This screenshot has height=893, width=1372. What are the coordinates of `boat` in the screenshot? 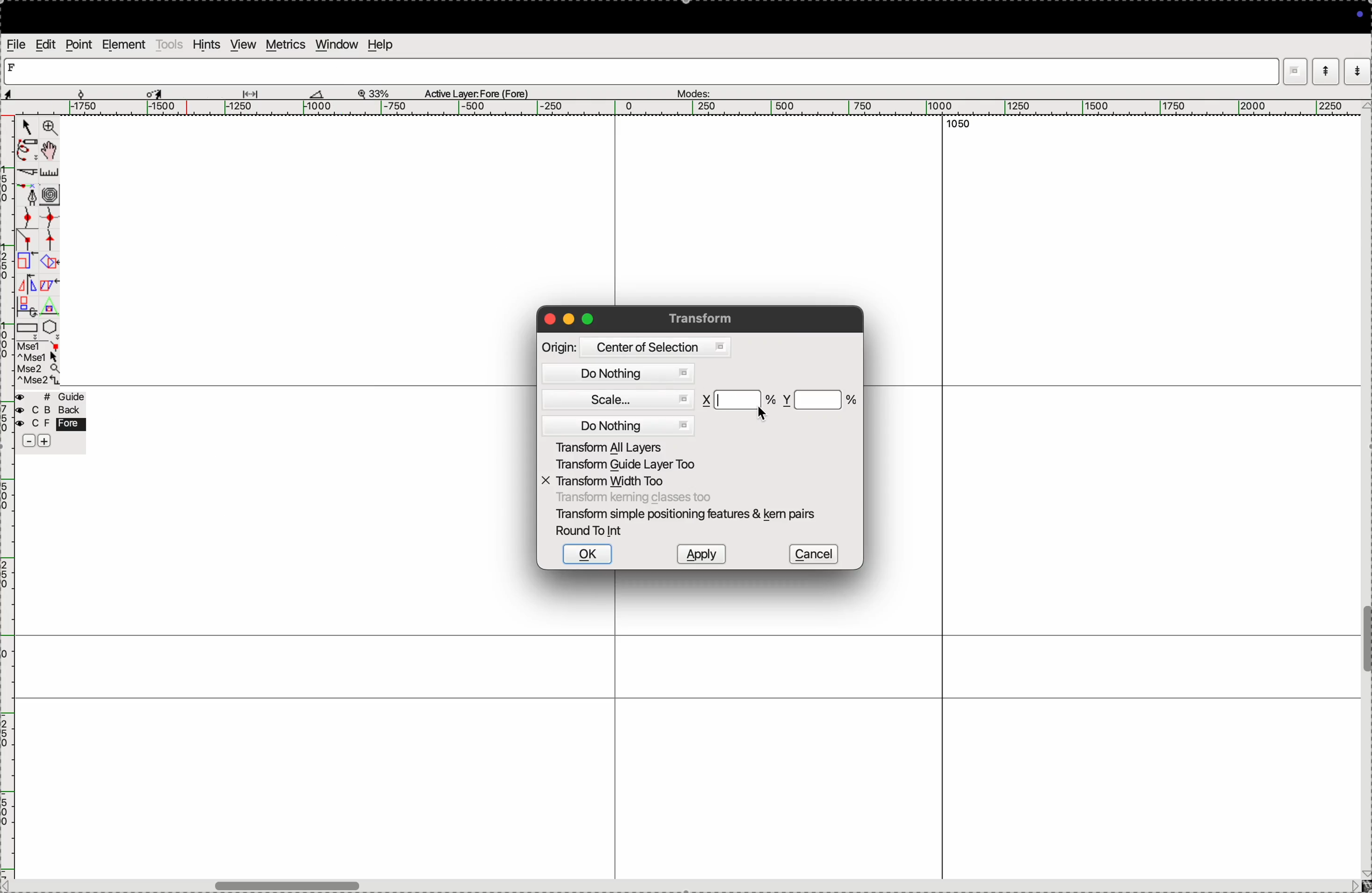 It's located at (322, 93).